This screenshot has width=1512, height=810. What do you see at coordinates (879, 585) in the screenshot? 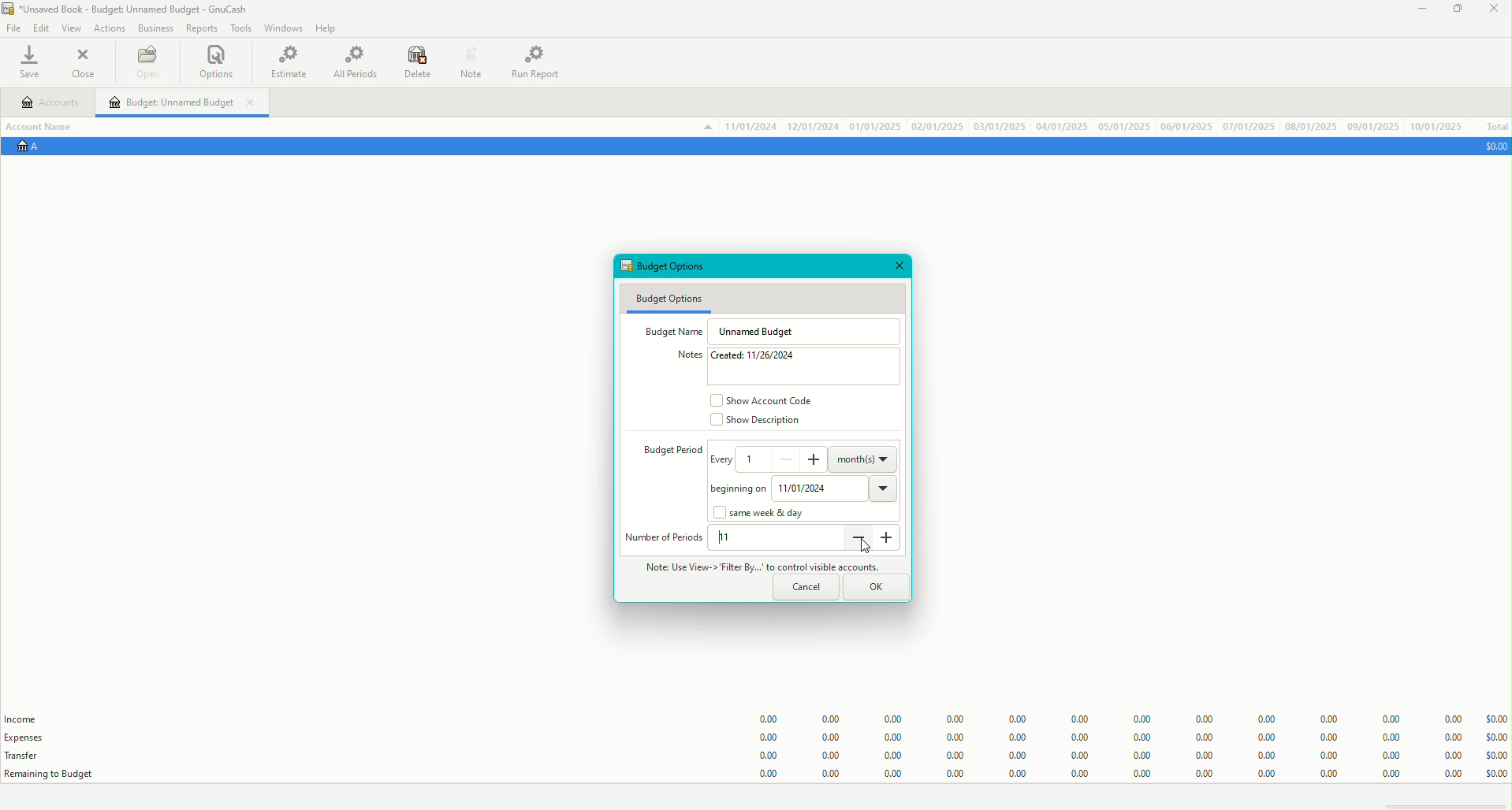
I see `OK` at bounding box center [879, 585].